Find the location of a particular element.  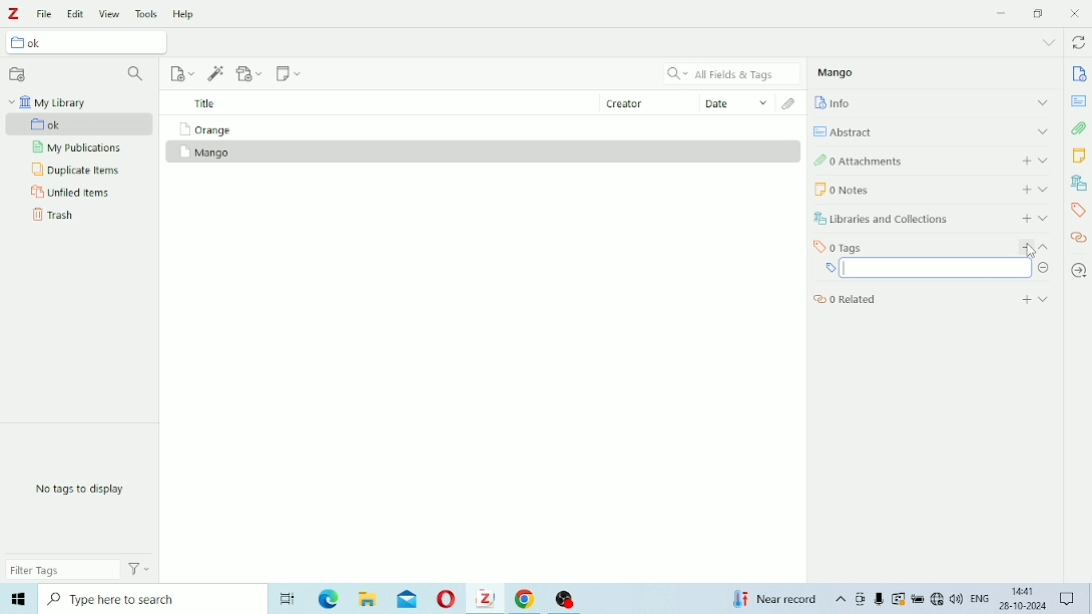

Abstract is located at coordinates (1079, 101).